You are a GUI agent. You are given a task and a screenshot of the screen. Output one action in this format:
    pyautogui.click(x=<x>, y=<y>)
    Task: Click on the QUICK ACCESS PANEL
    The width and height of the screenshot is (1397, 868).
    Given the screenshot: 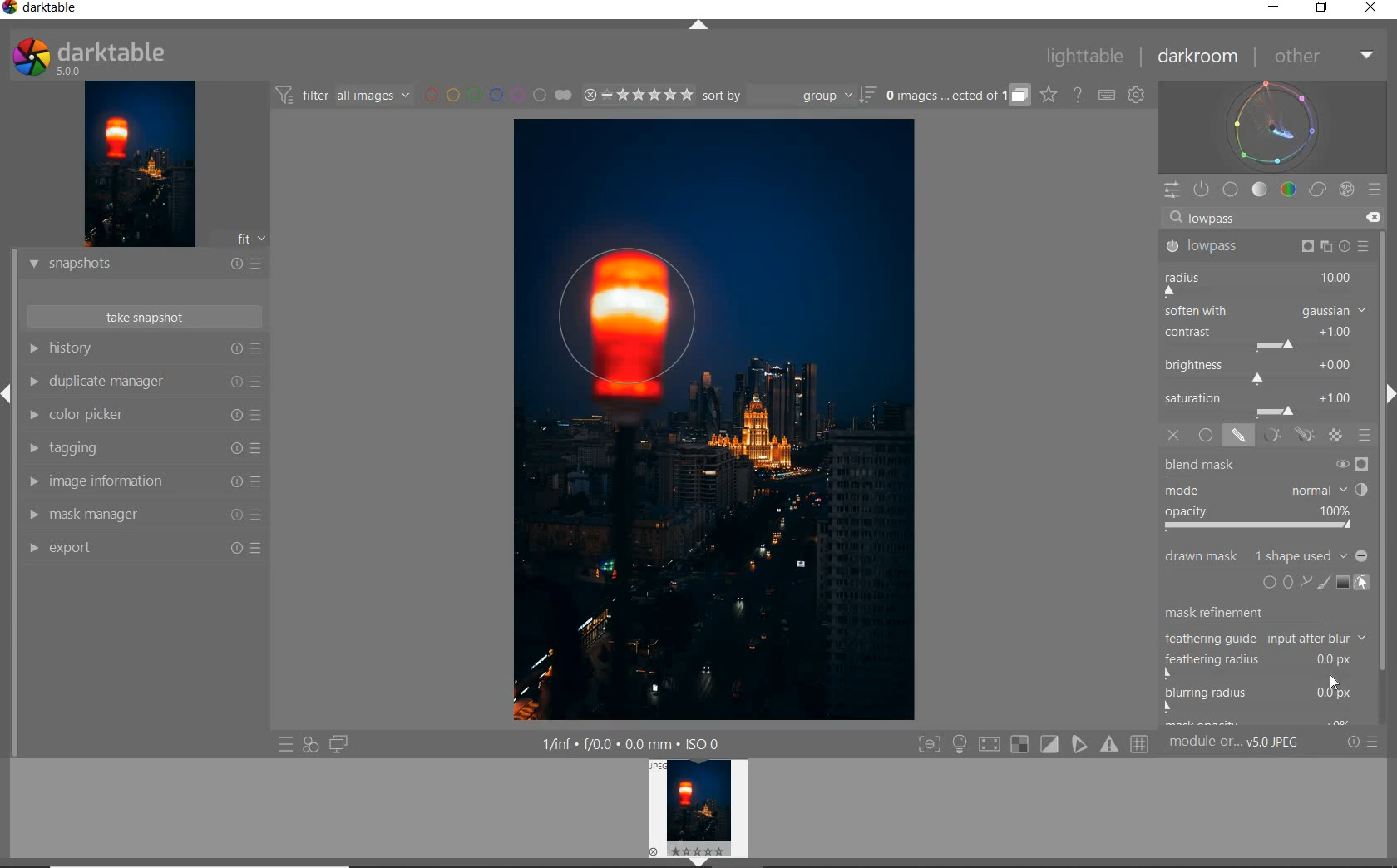 What is the action you would take?
    pyautogui.click(x=1172, y=187)
    